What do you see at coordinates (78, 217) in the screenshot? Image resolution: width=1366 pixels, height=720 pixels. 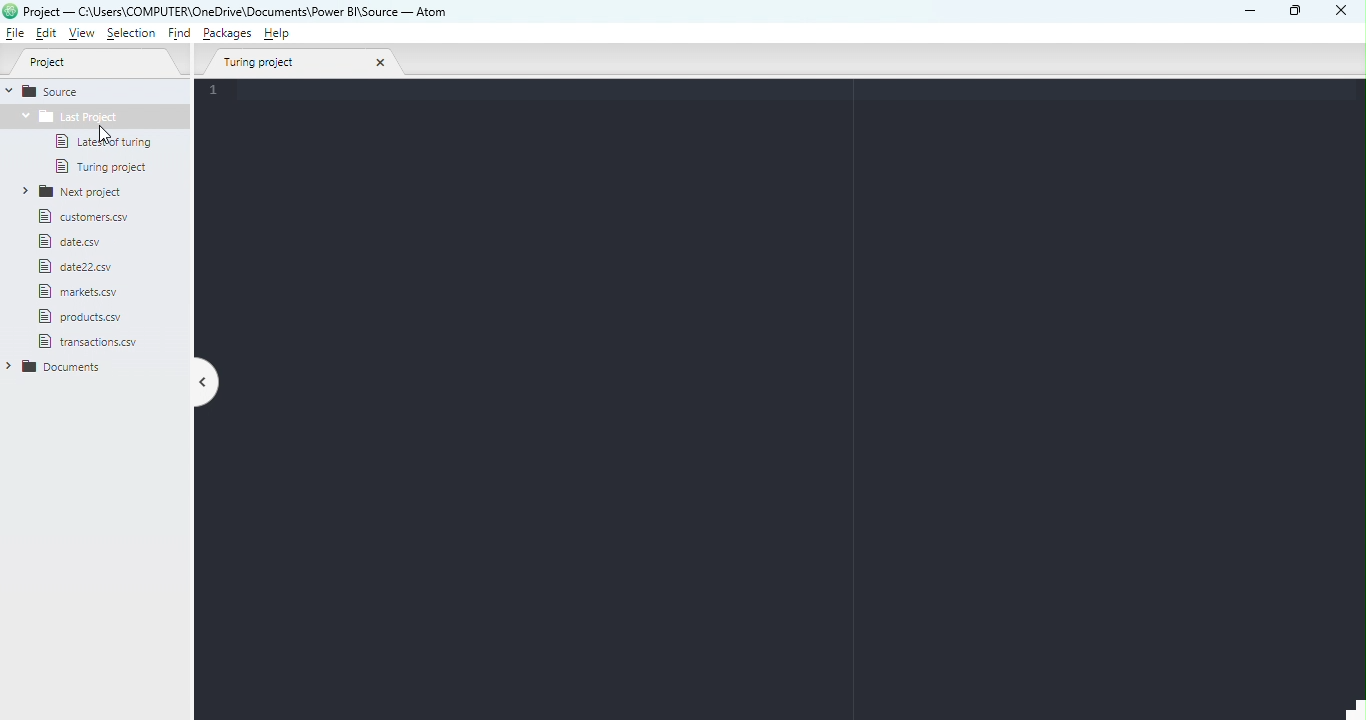 I see `file` at bounding box center [78, 217].